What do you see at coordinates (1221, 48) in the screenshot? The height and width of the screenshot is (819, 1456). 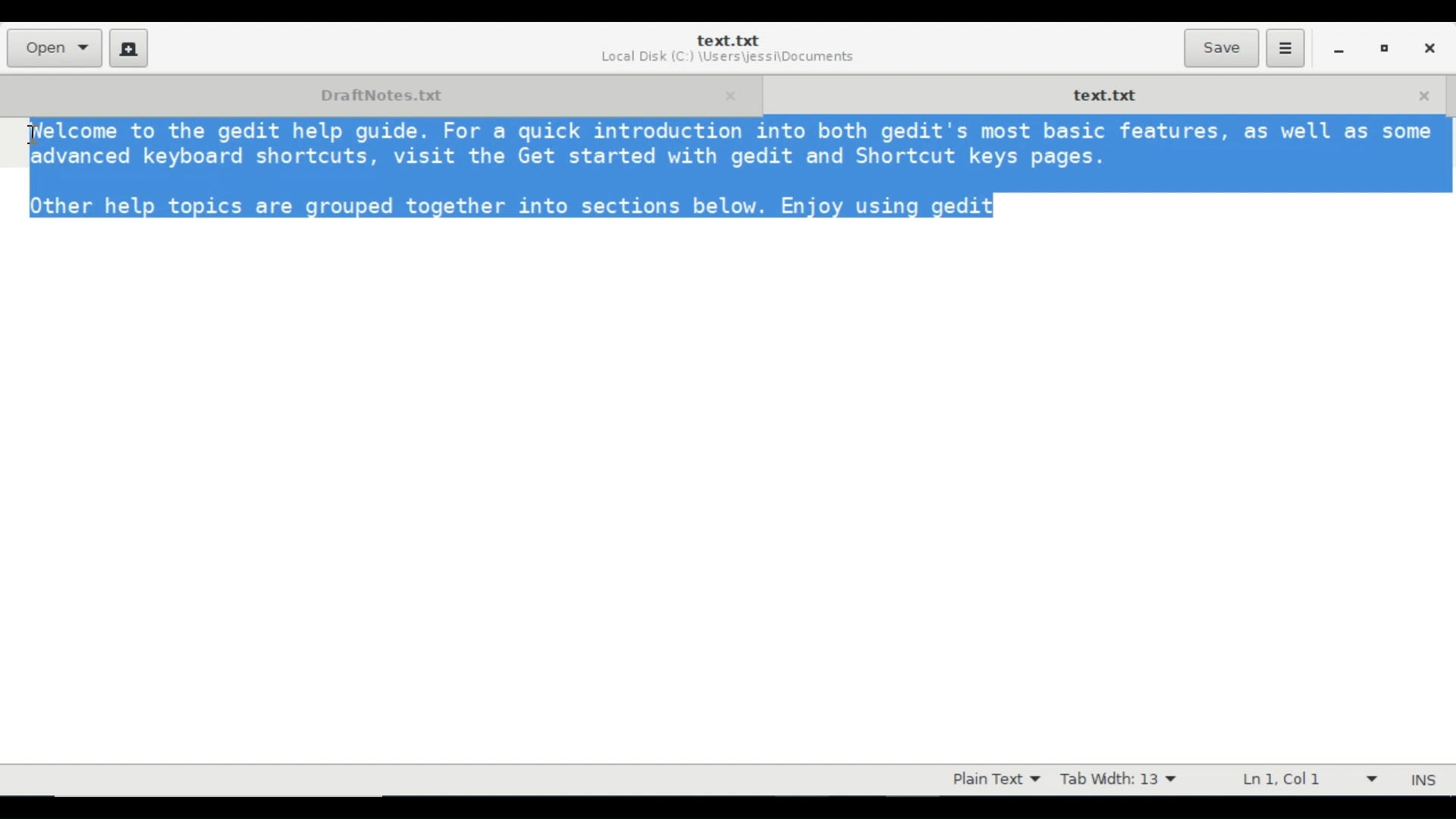 I see `Save` at bounding box center [1221, 48].